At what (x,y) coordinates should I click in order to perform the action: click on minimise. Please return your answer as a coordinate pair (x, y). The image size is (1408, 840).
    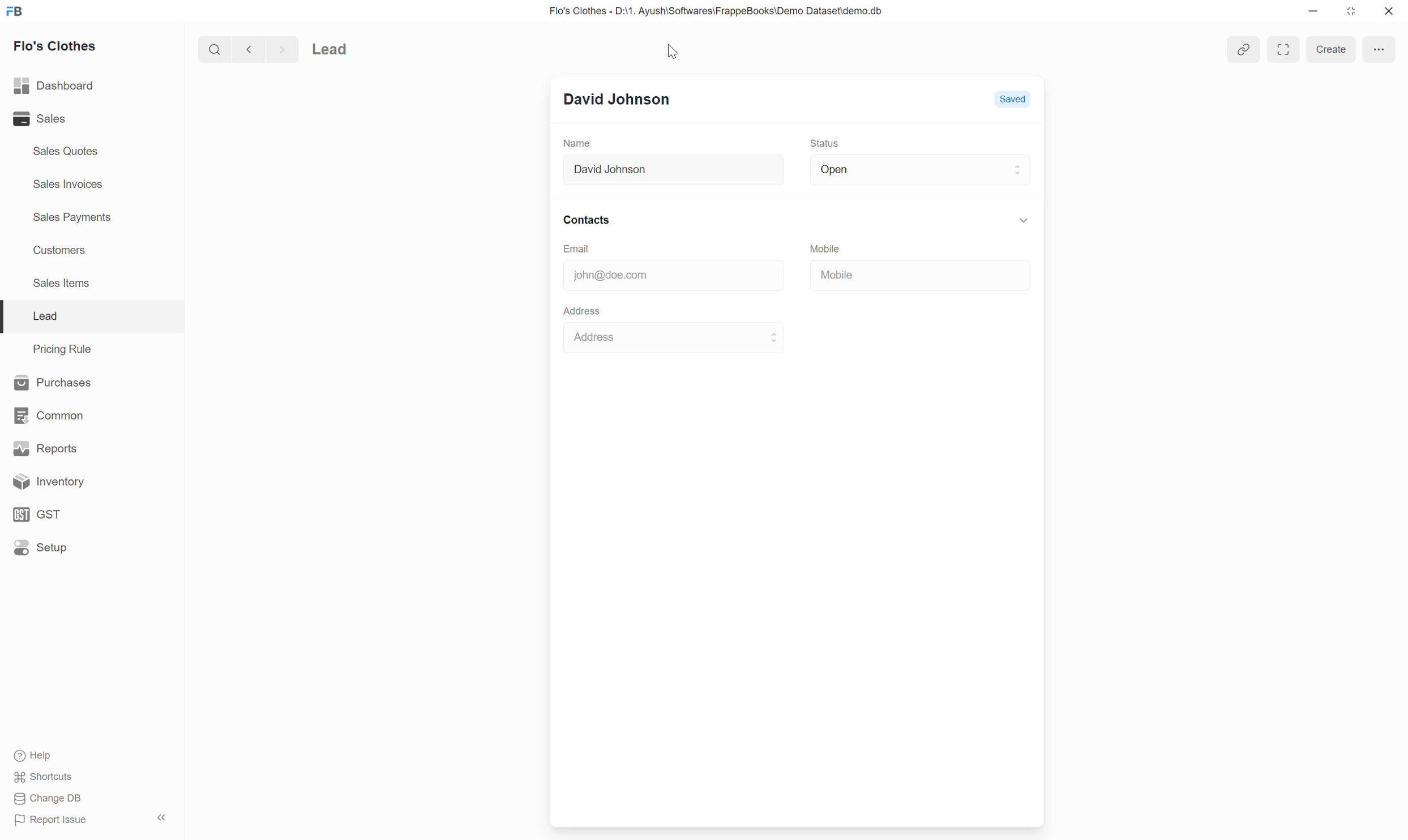
    Looking at the image, I should click on (1313, 13).